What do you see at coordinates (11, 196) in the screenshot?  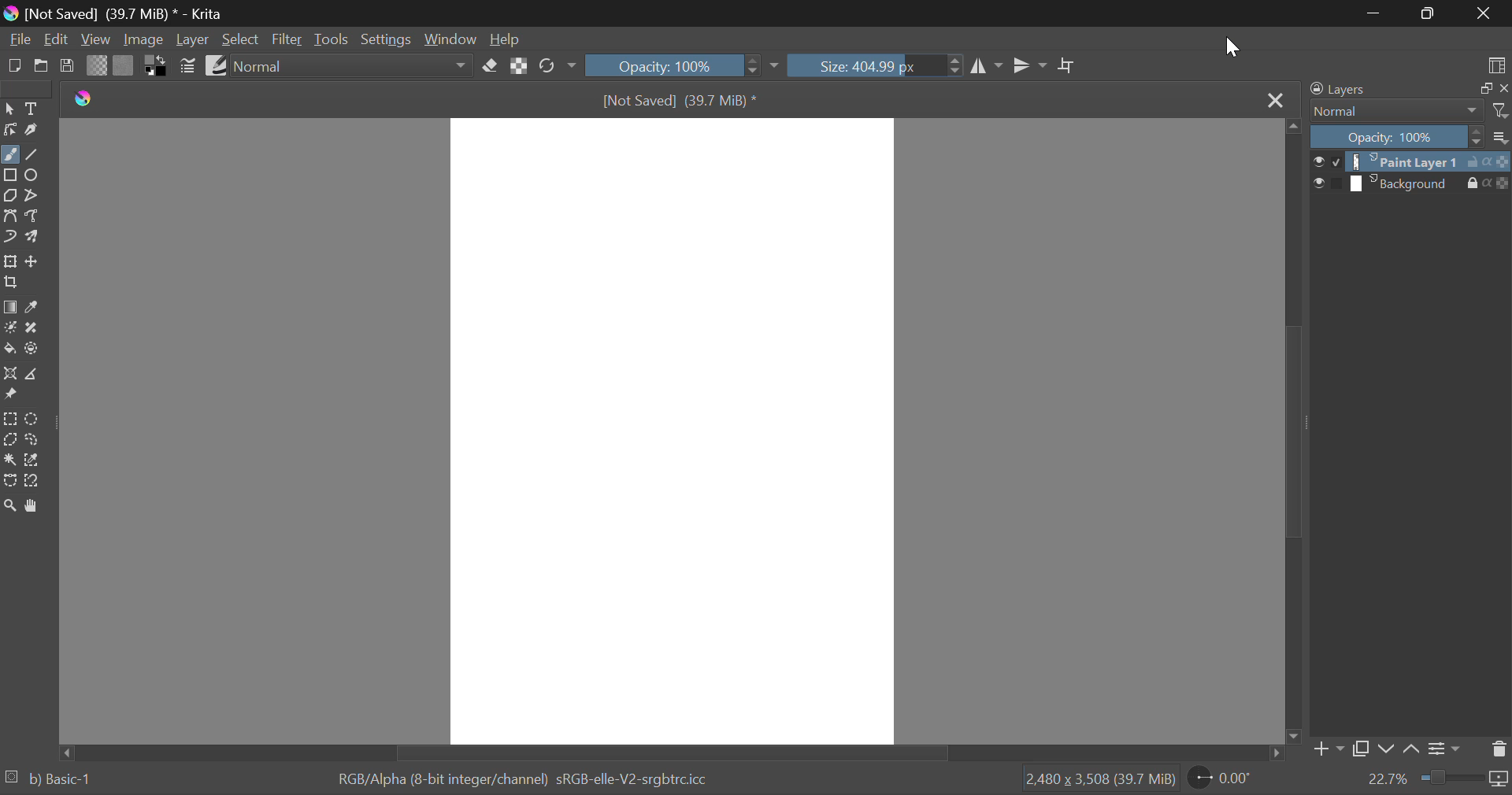 I see `Polygon` at bounding box center [11, 196].